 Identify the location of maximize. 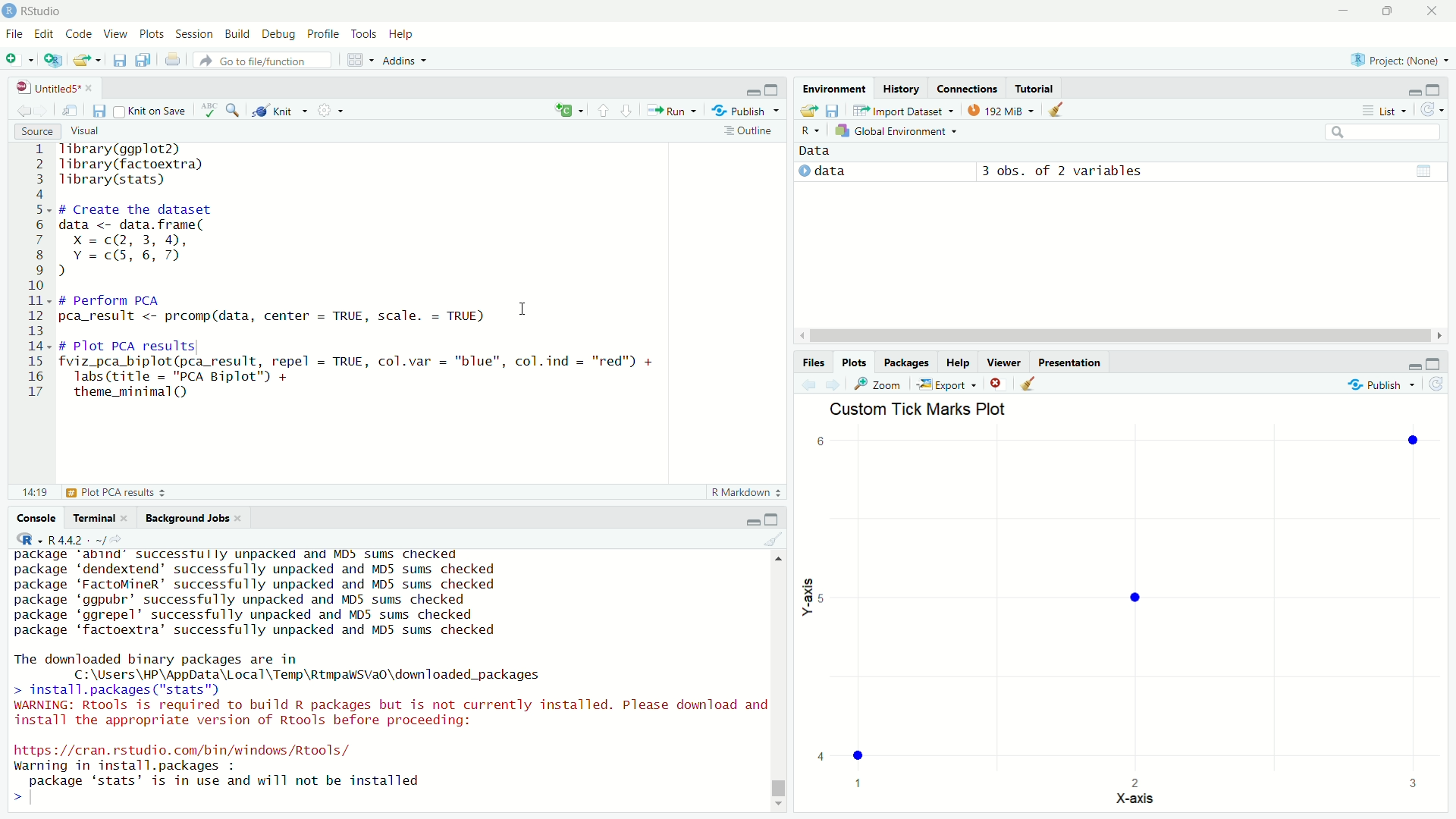
(775, 90).